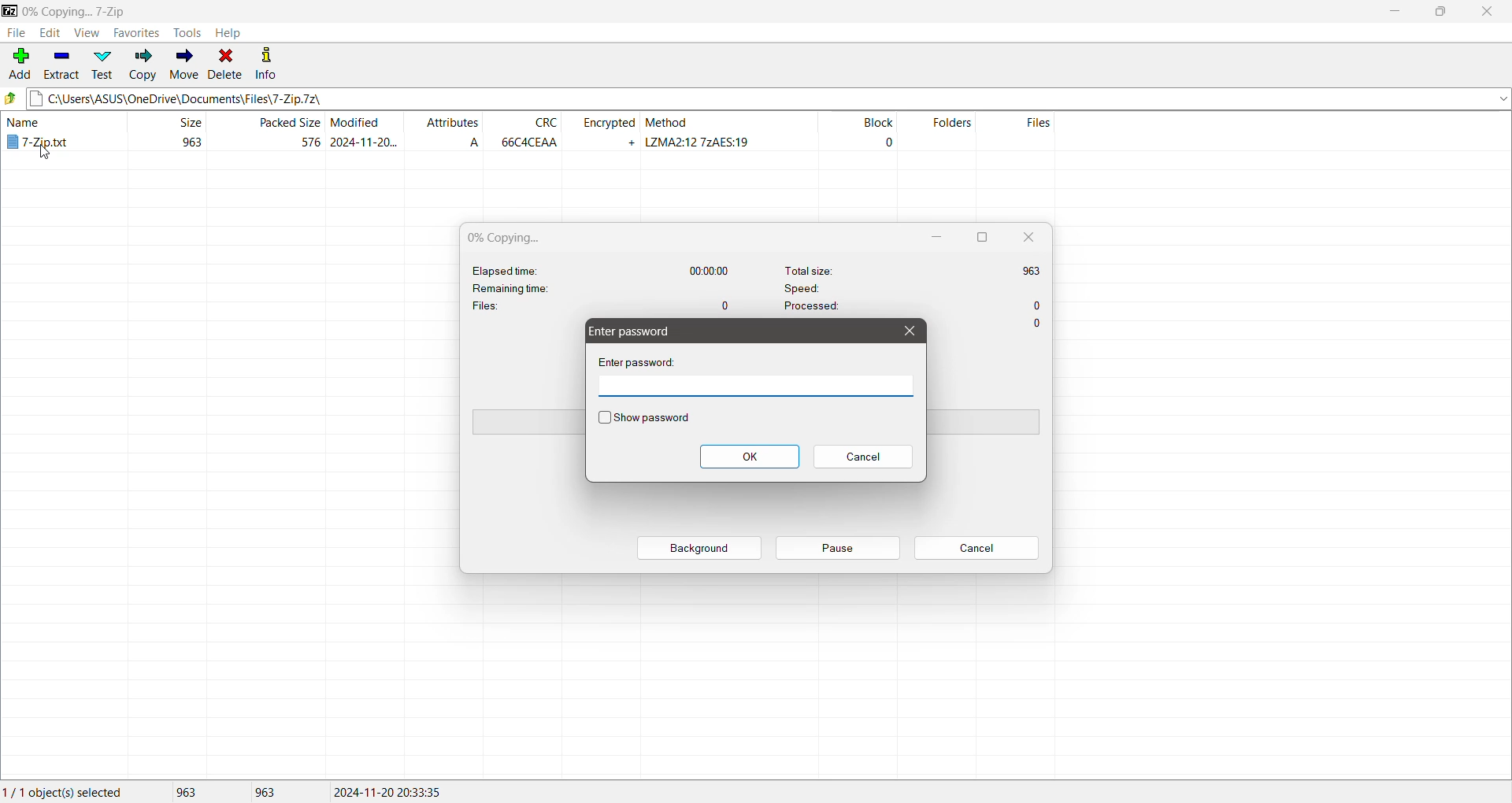  I want to click on Files, so click(602, 304).